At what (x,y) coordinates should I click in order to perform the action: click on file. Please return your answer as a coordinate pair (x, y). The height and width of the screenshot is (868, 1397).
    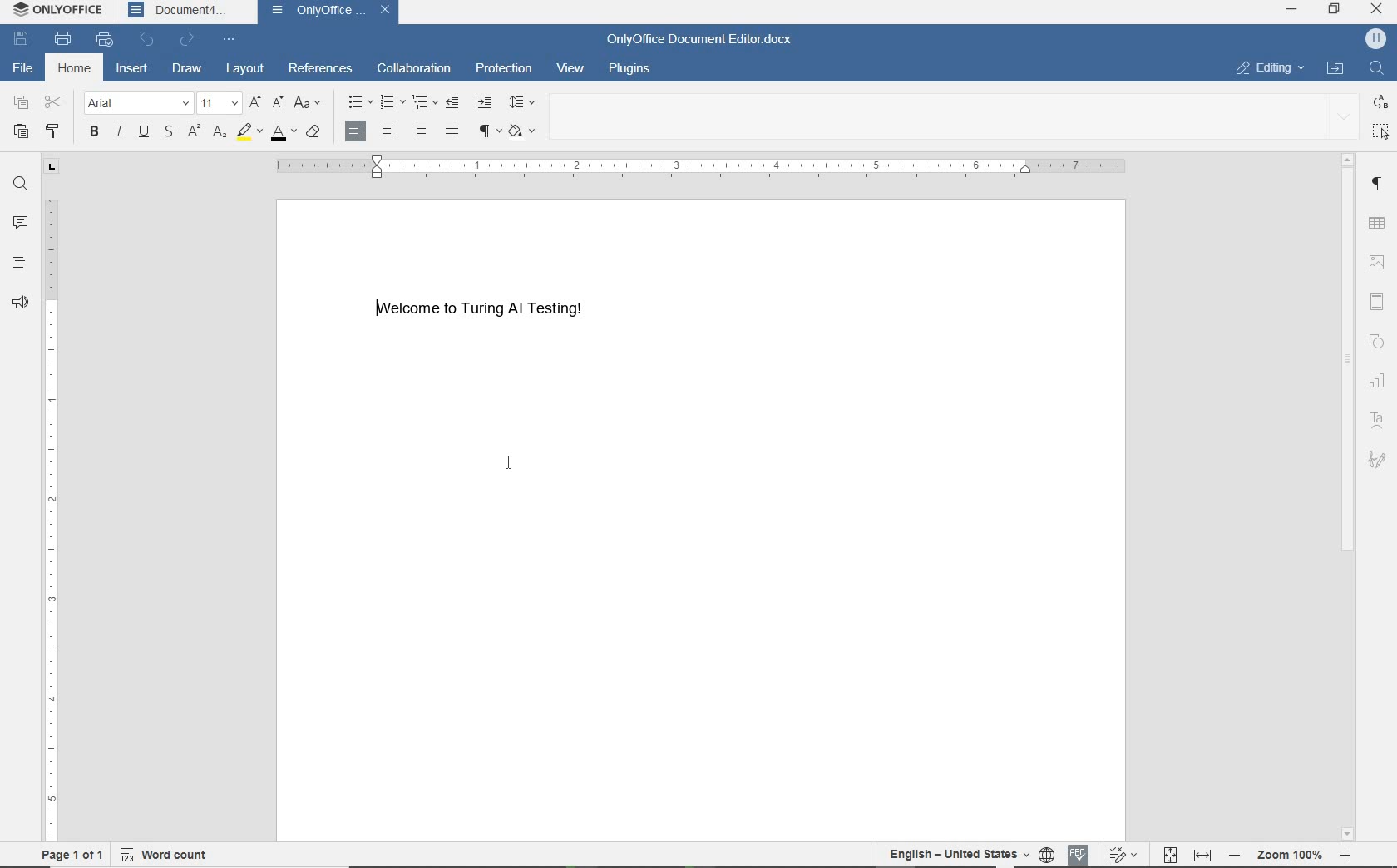
    Looking at the image, I should click on (21, 68).